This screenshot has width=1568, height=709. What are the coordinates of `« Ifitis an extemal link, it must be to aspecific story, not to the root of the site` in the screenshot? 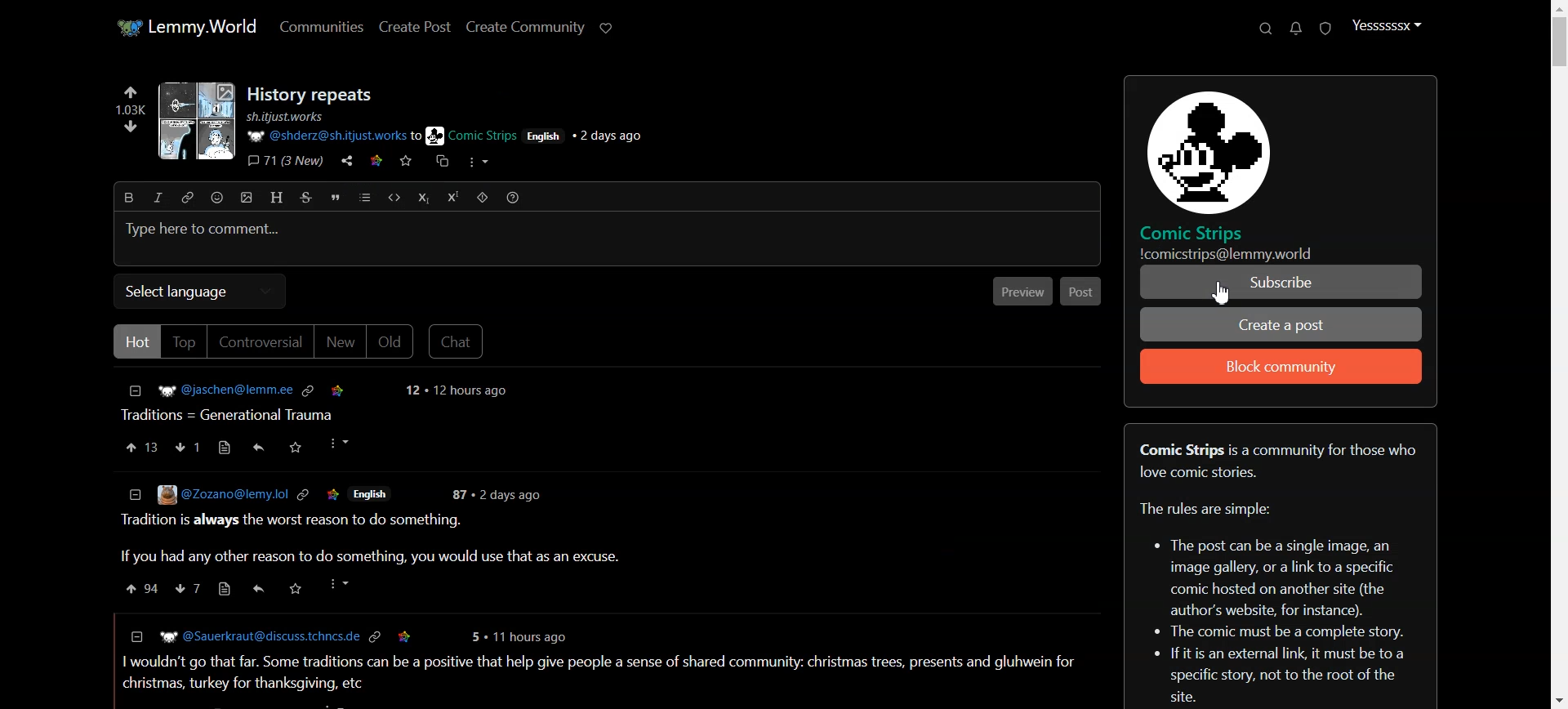 It's located at (1291, 676).